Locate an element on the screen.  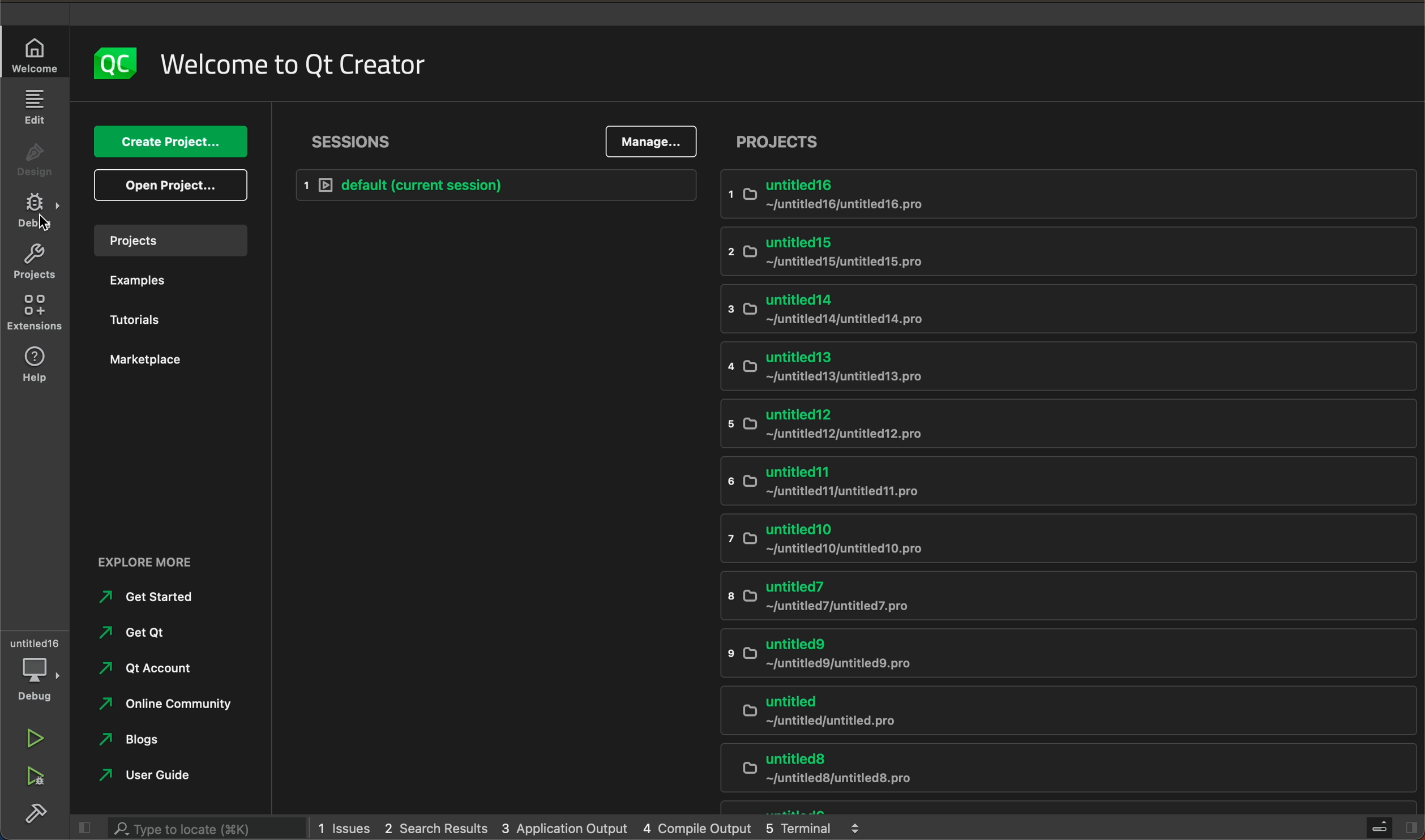
marketplace is located at coordinates (168, 367).